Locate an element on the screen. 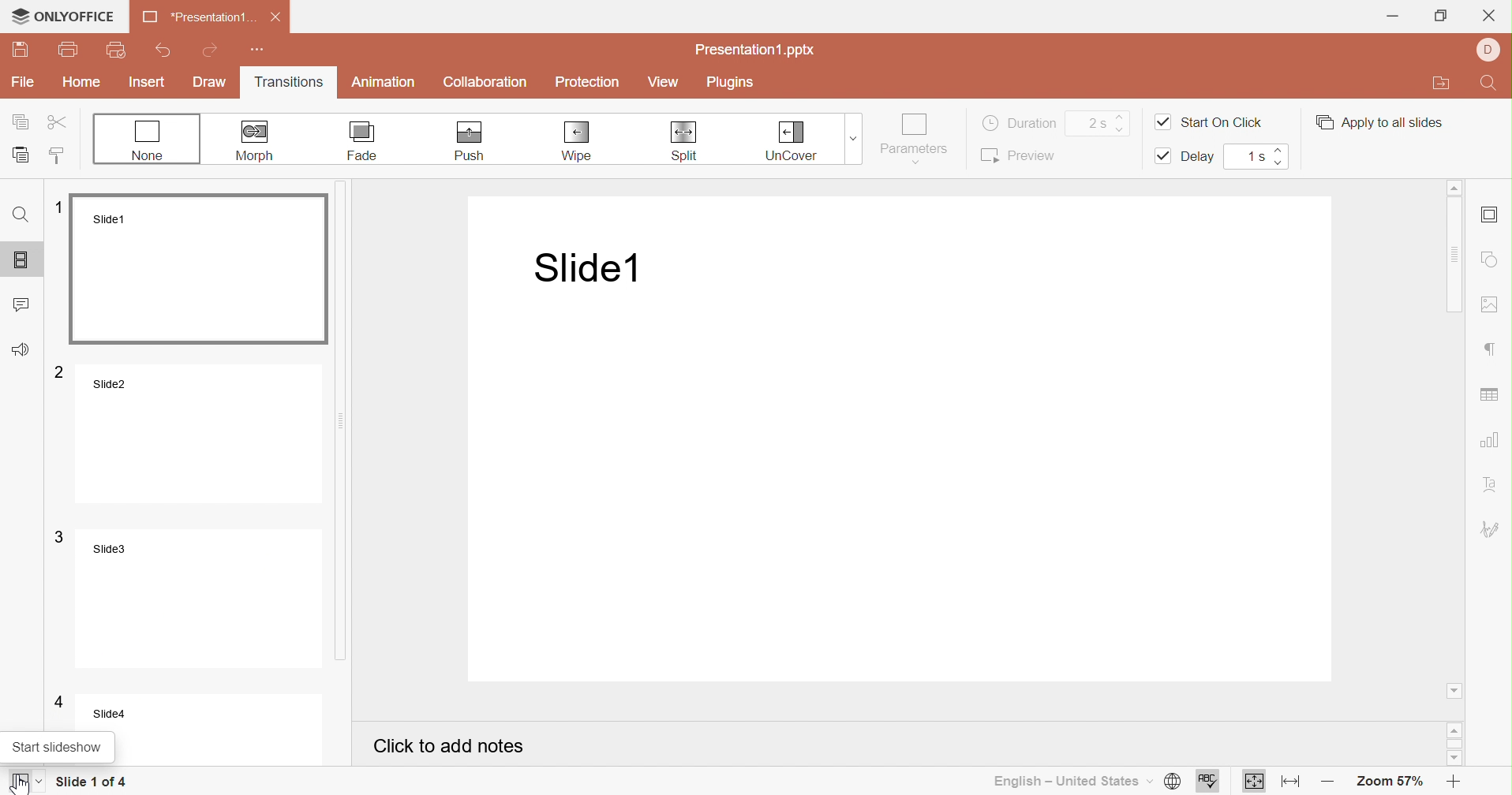  Account name is located at coordinates (1489, 50).